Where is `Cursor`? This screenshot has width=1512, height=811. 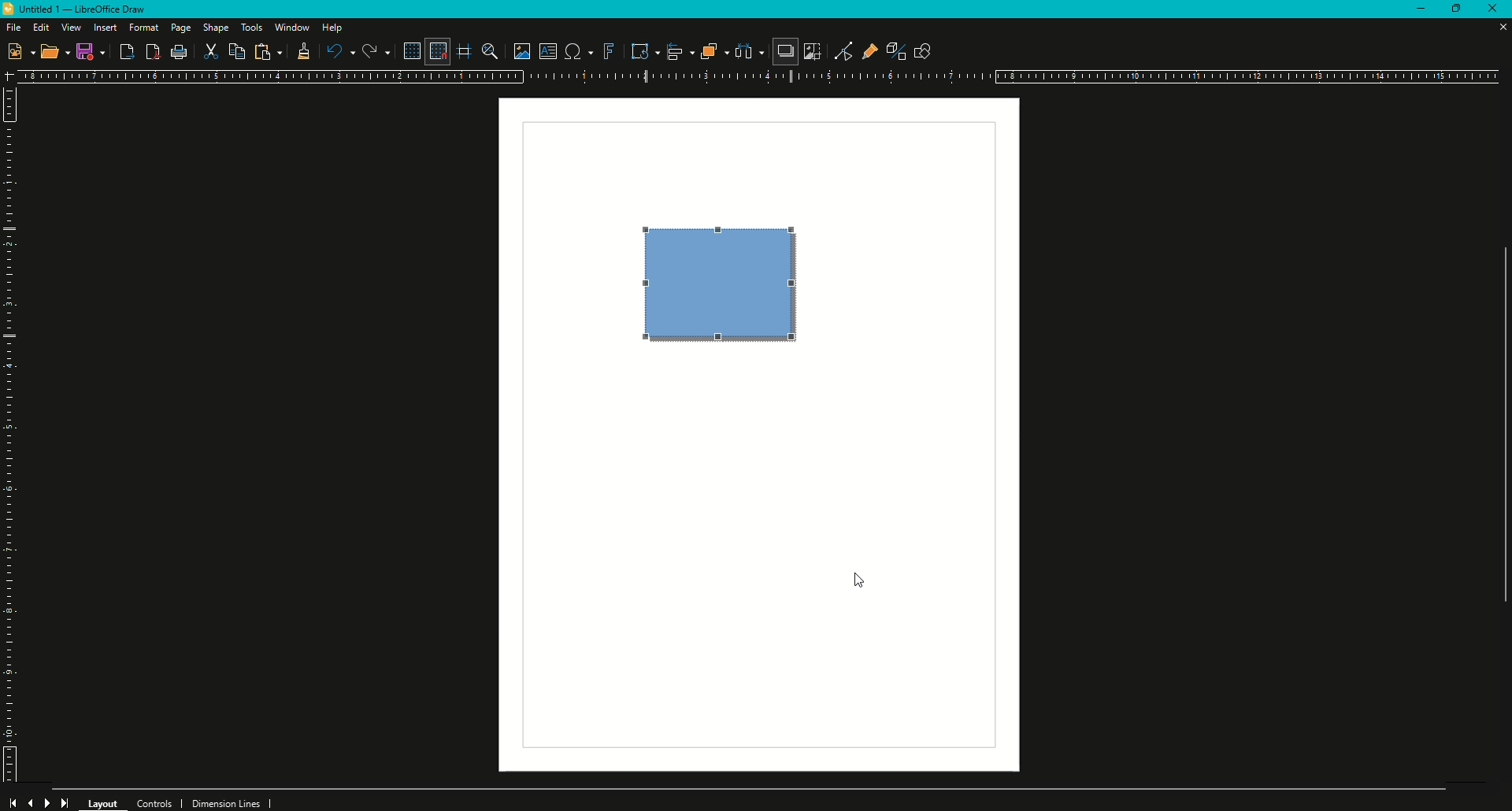
Cursor is located at coordinates (862, 582).